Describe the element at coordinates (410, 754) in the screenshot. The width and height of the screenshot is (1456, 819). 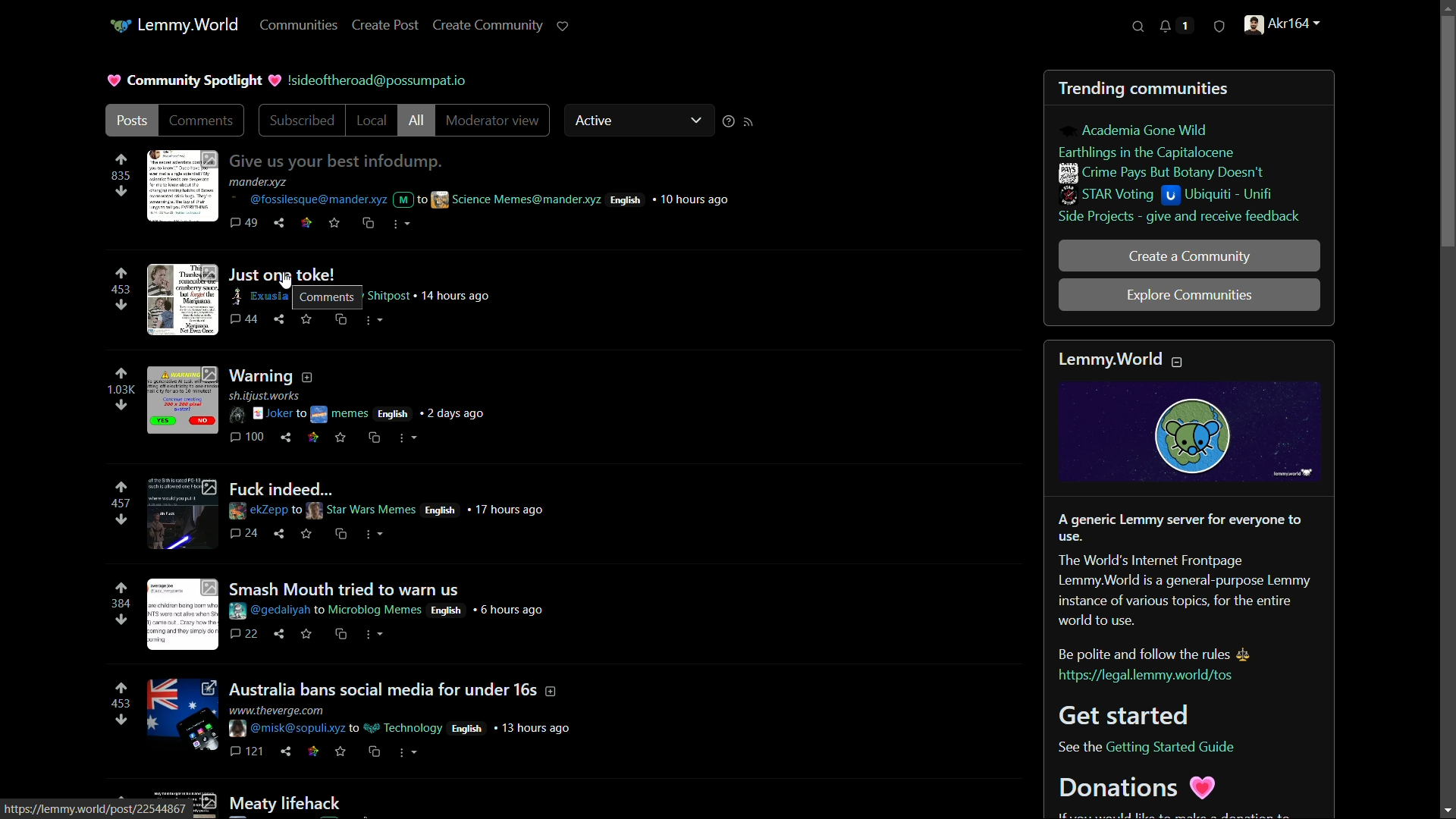
I see `more actions` at that location.